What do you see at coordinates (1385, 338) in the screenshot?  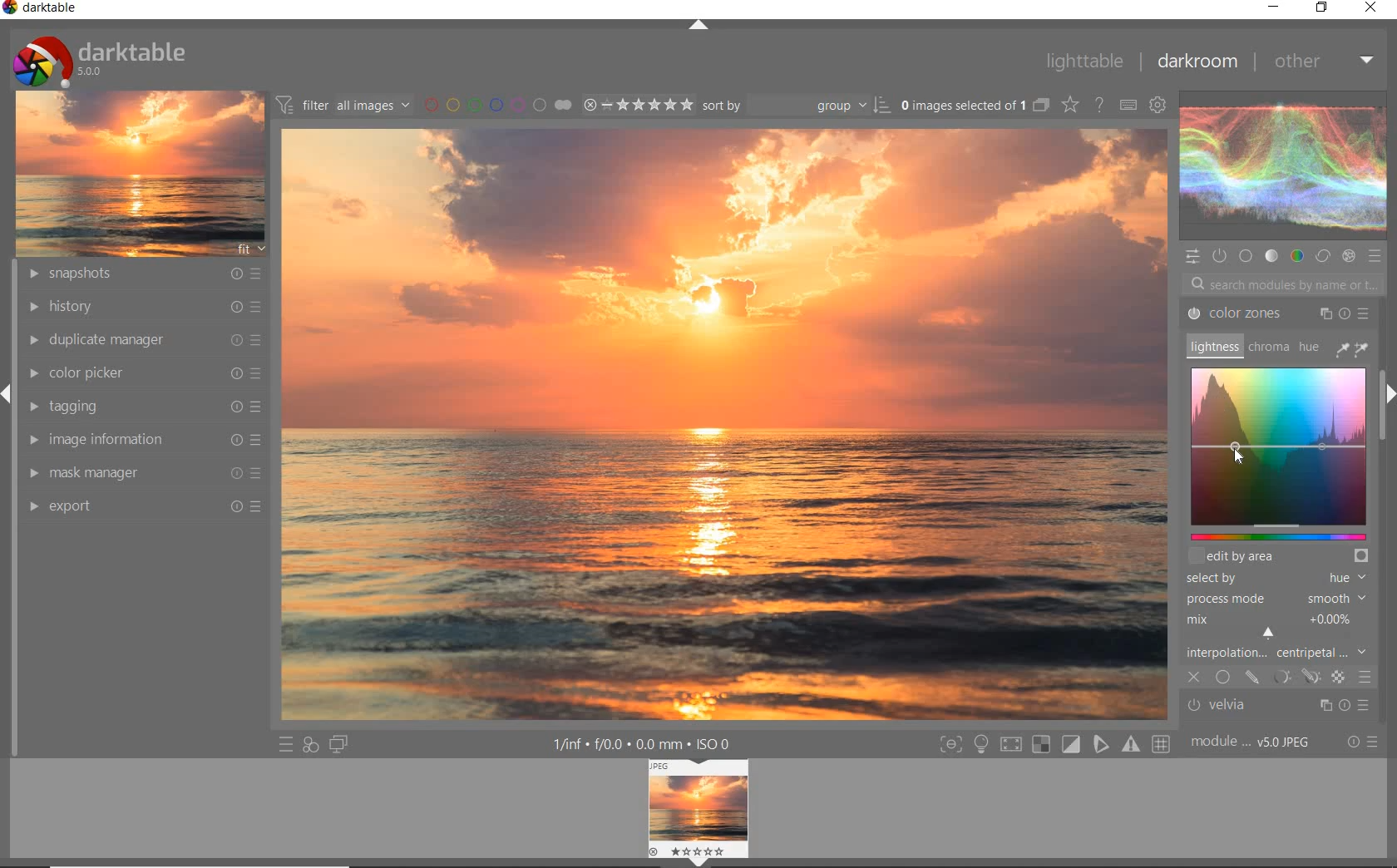 I see `SCROLLBAR` at bounding box center [1385, 338].